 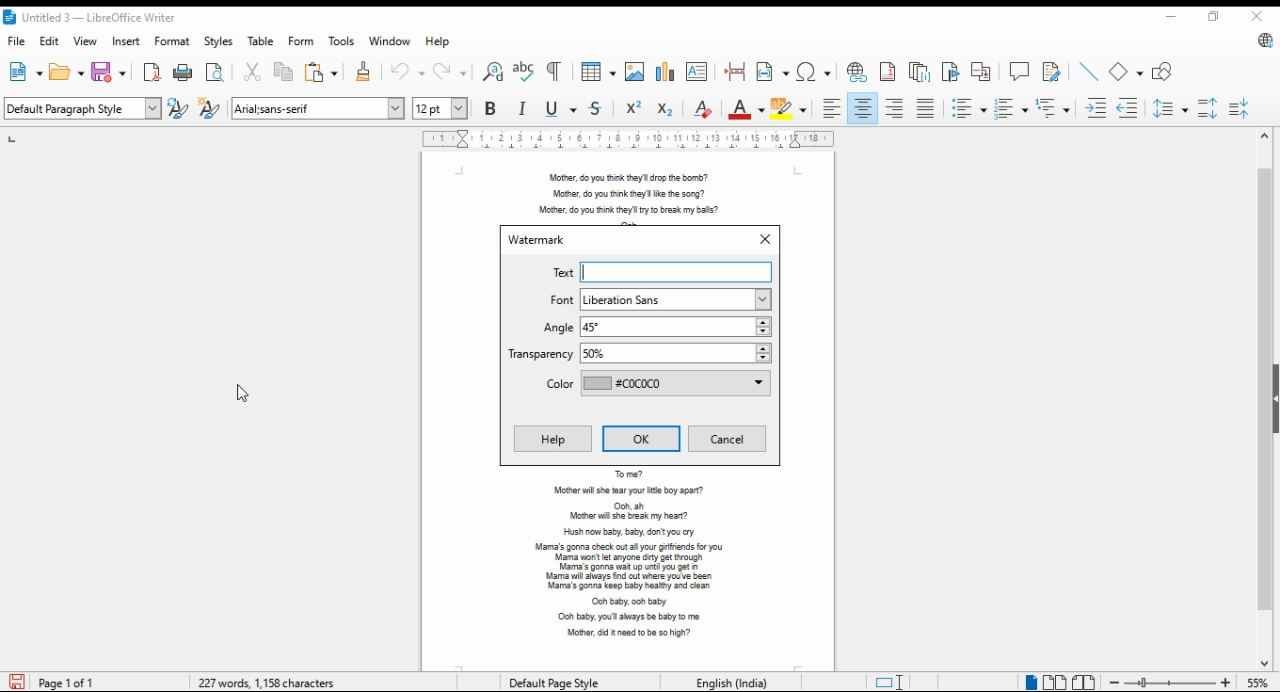 What do you see at coordinates (210, 108) in the screenshot?
I see `new style from selection` at bounding box center [210, 108].